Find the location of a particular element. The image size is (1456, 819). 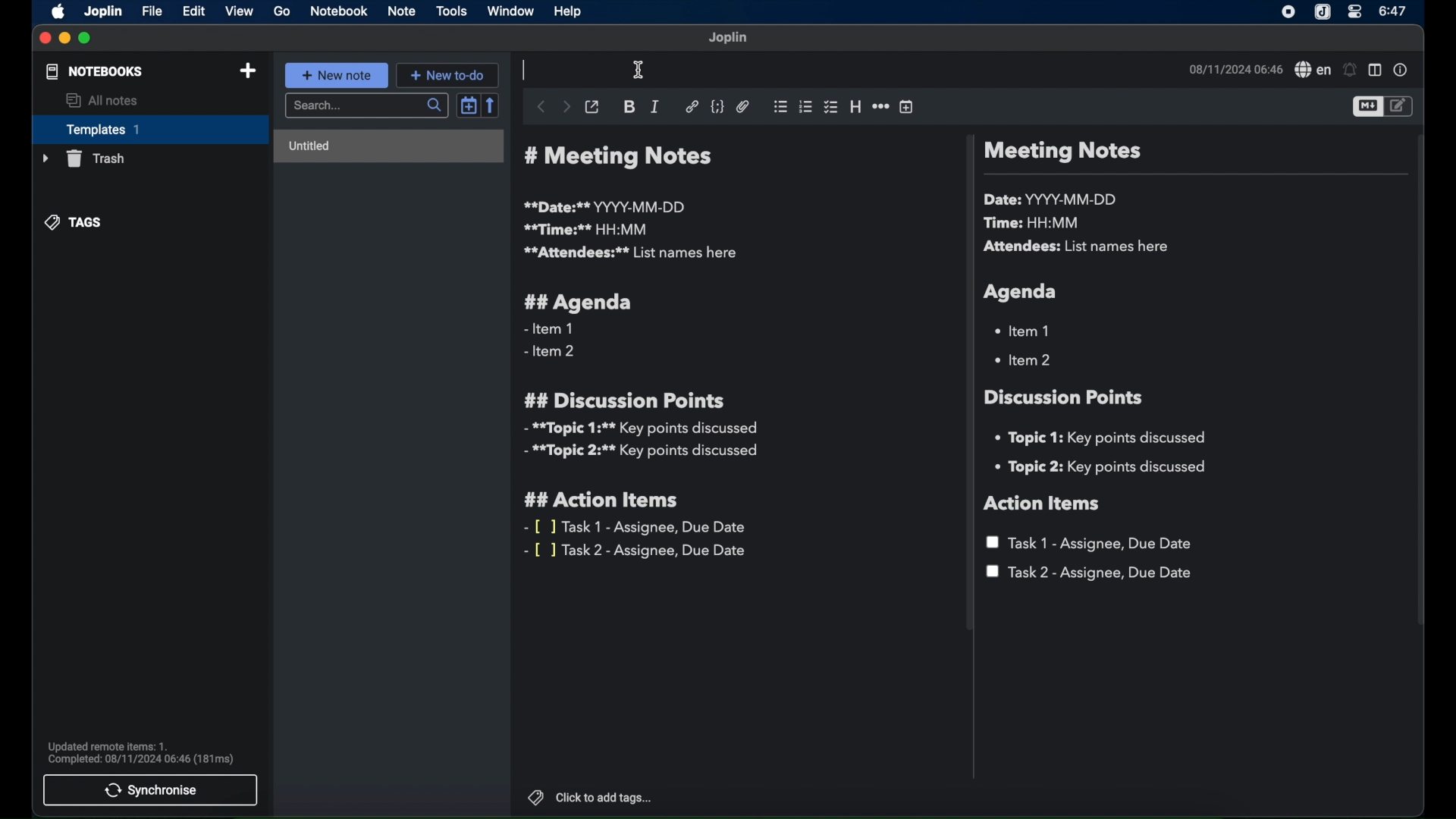

set alarm is located at coordinates (1349, 70).